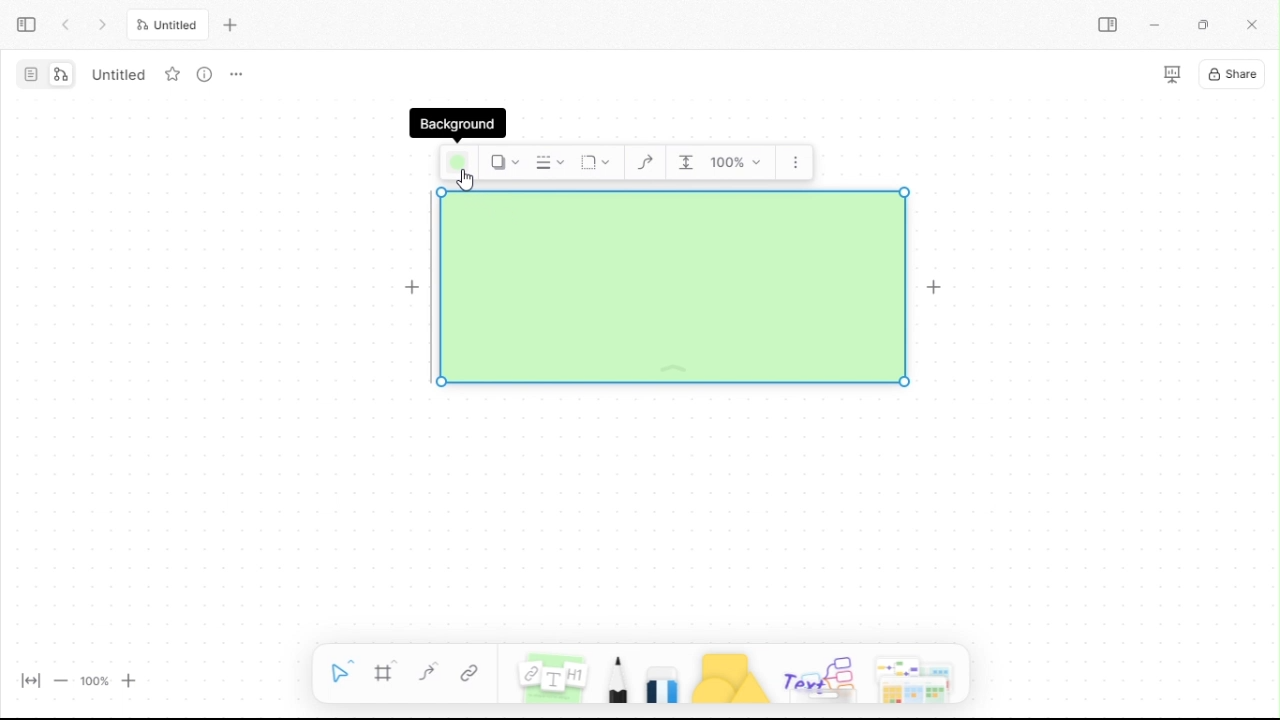 This screenshot has height=720, width=1280. I want to click on More options, so click(796, 162).